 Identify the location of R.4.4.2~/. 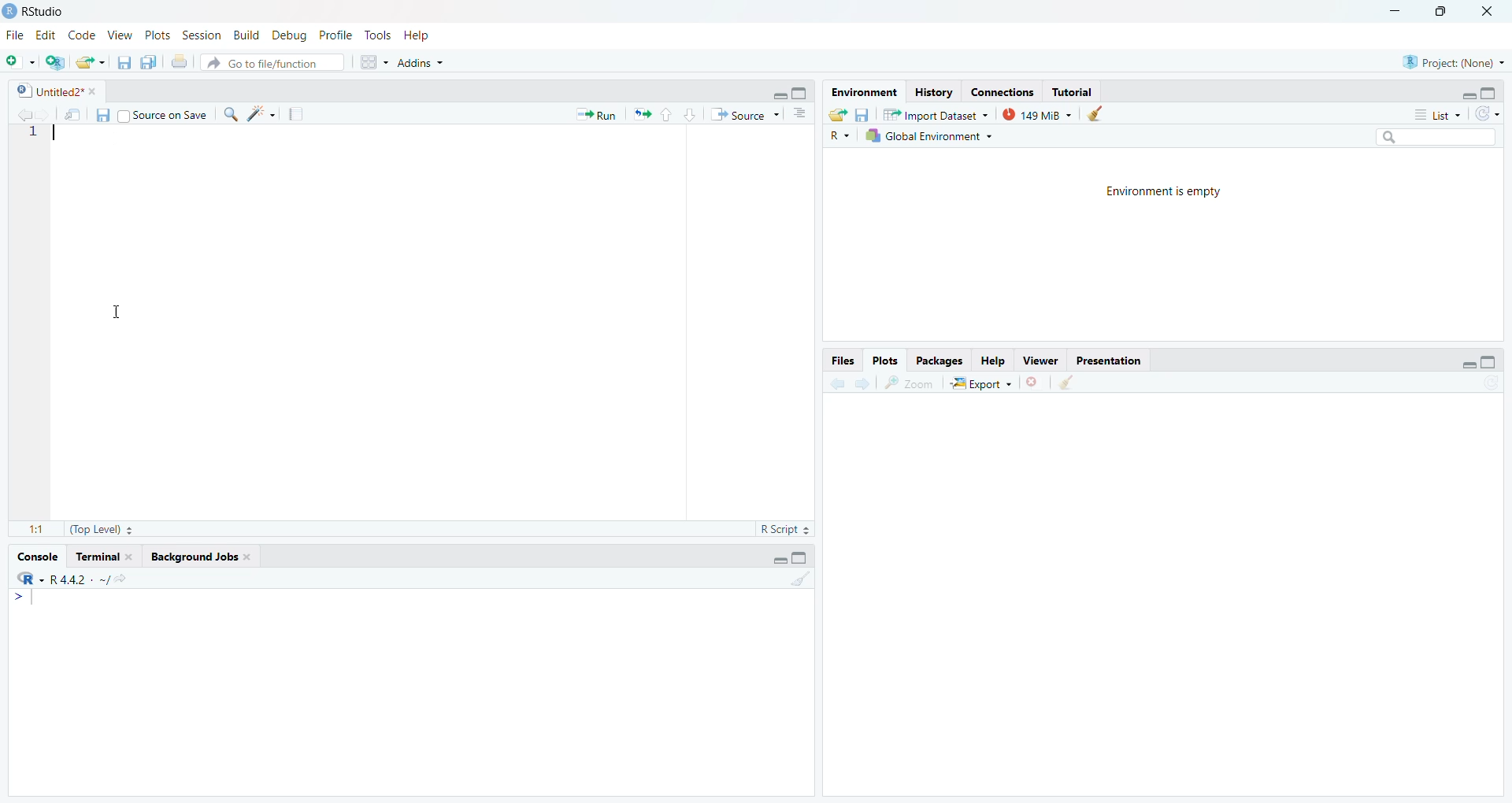
(75, 579).